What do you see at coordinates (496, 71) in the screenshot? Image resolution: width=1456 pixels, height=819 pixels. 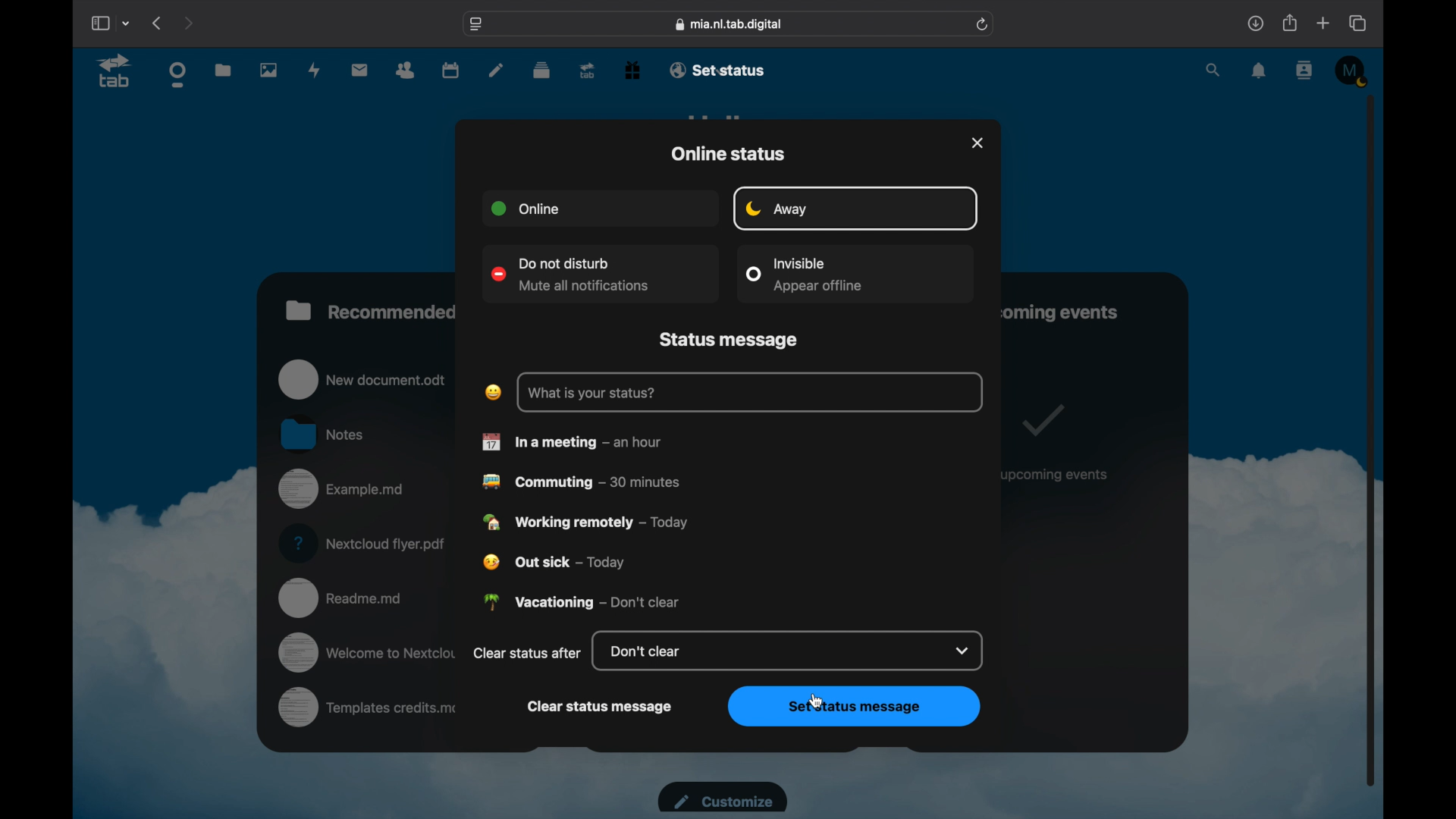 I see `notes` at bounding box center [496, 71].